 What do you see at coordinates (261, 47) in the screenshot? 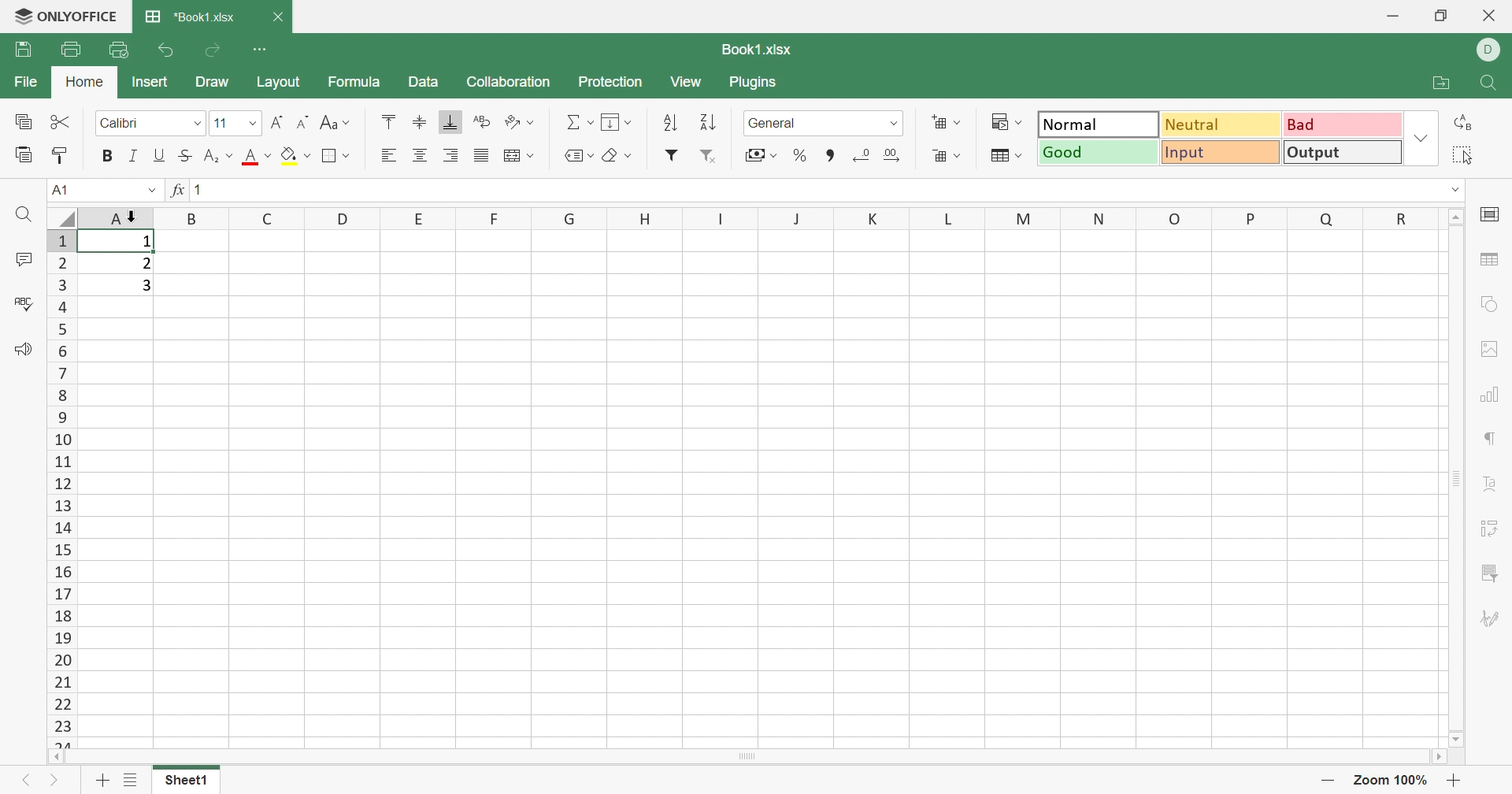
I see `Customize Quick Access Toolbar` at bounding box center [261, 47].